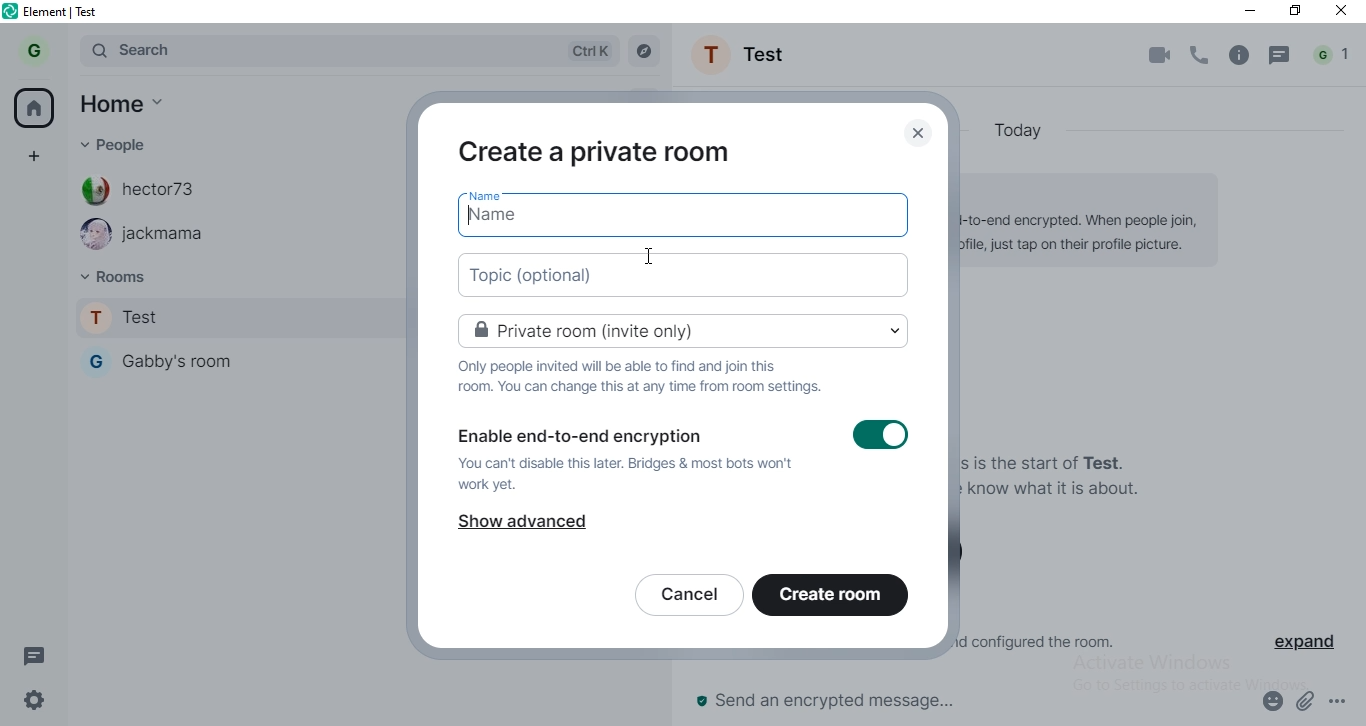 This screenshot has width=1366, height=726. Describe the element at coordinates (1201, 54) in the screenshot. I see `phone` at that location.